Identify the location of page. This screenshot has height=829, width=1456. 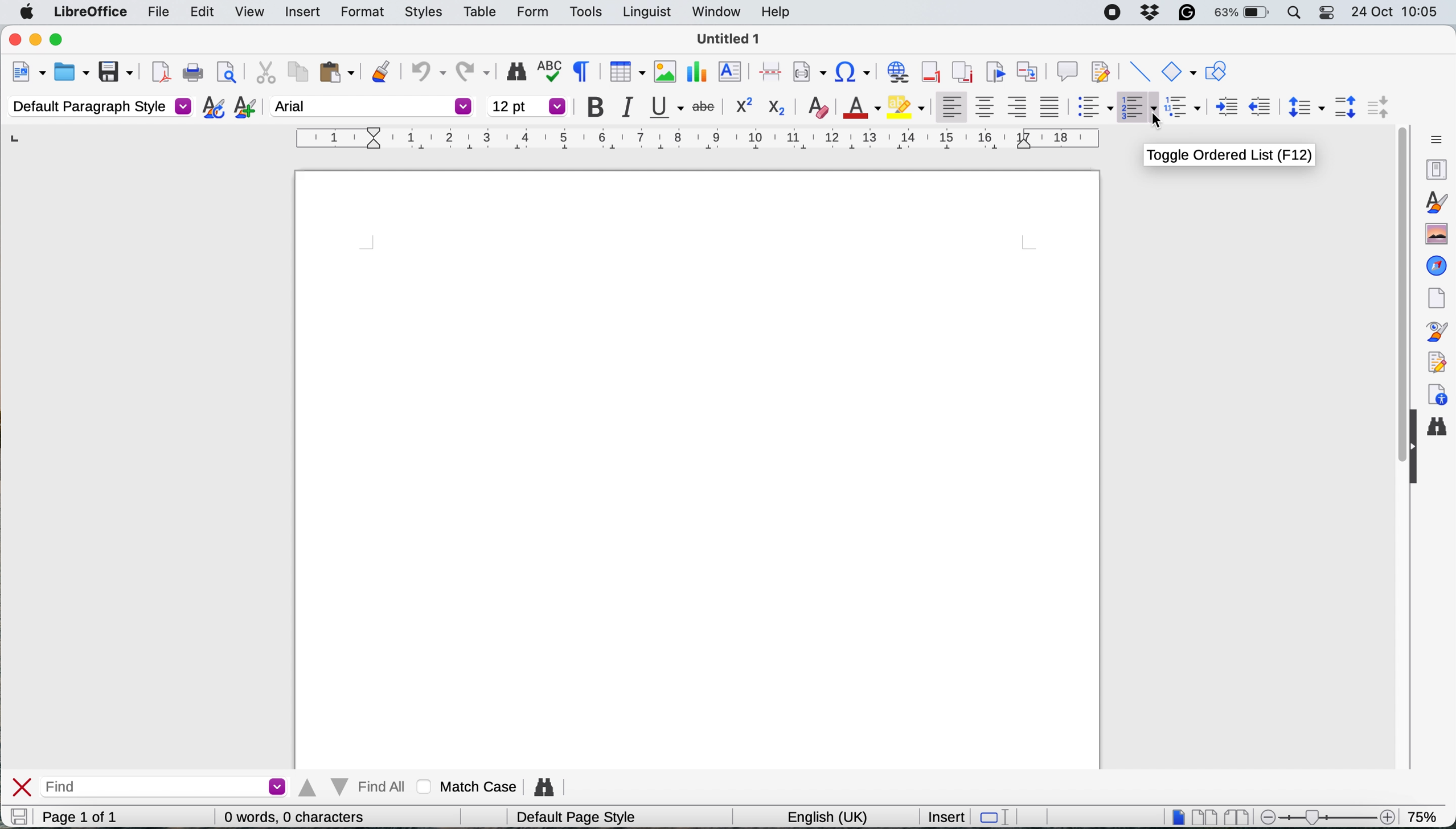
(1434, 296).